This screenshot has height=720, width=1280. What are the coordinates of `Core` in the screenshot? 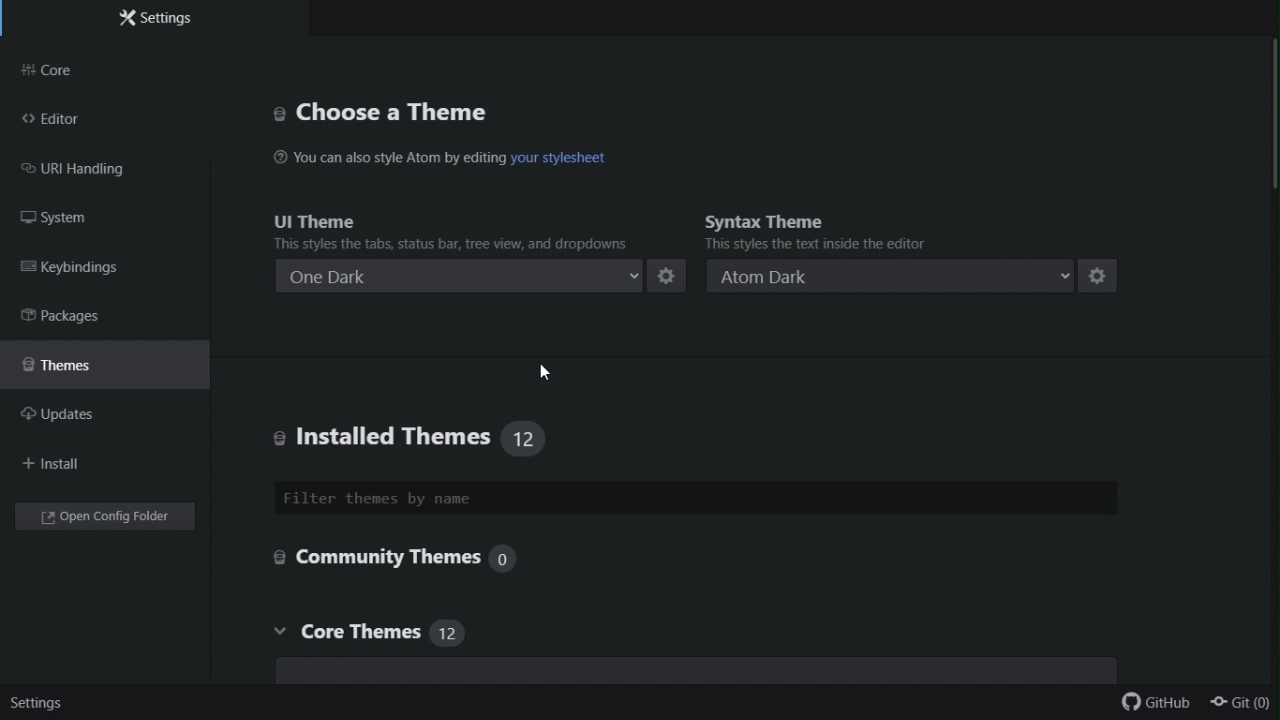 It's located at (97, 72).